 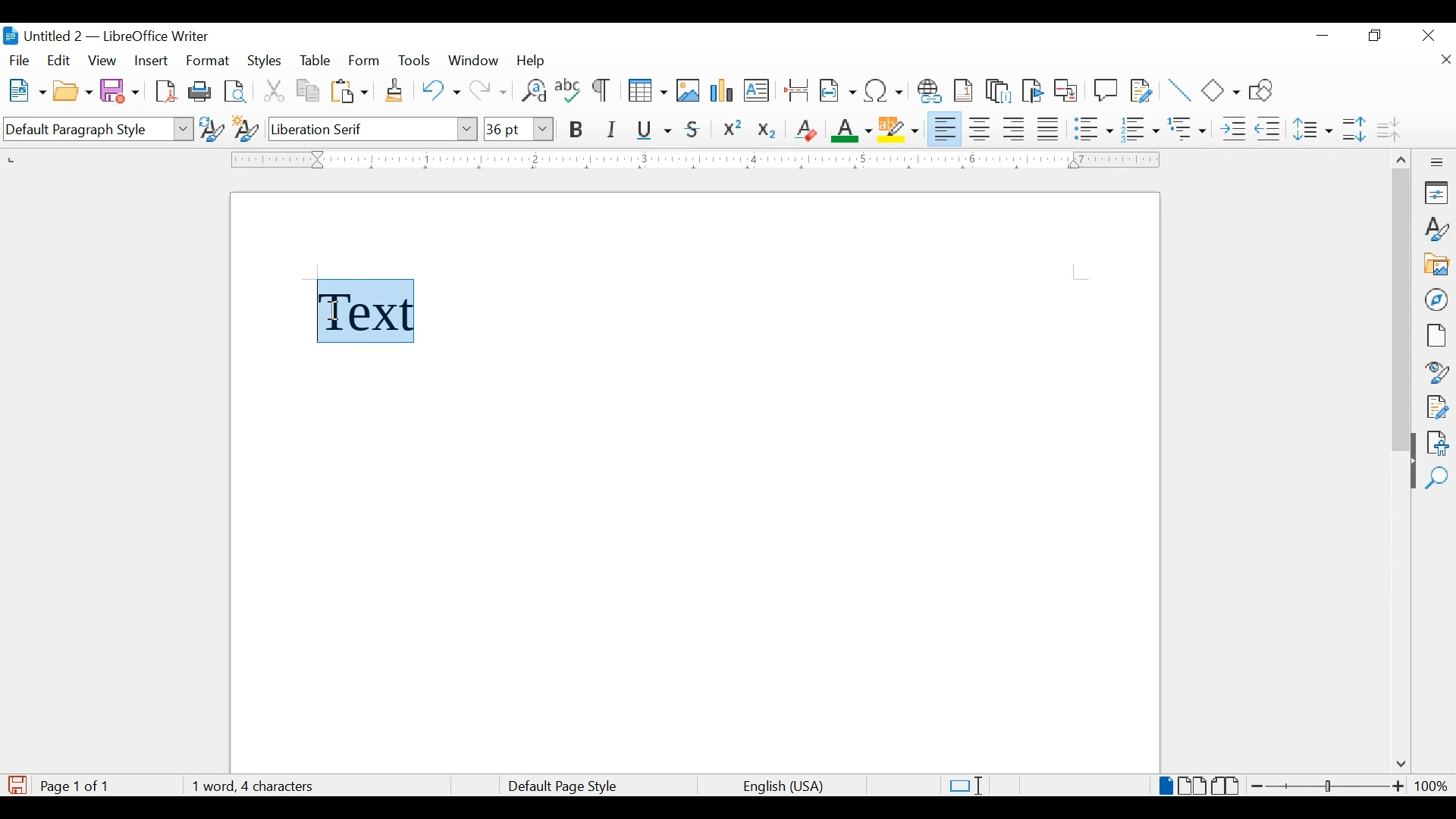 What do you see at coordinates (1324, 36) in the screenshot?
I see `minimize` at bounding box center [1324, 36].